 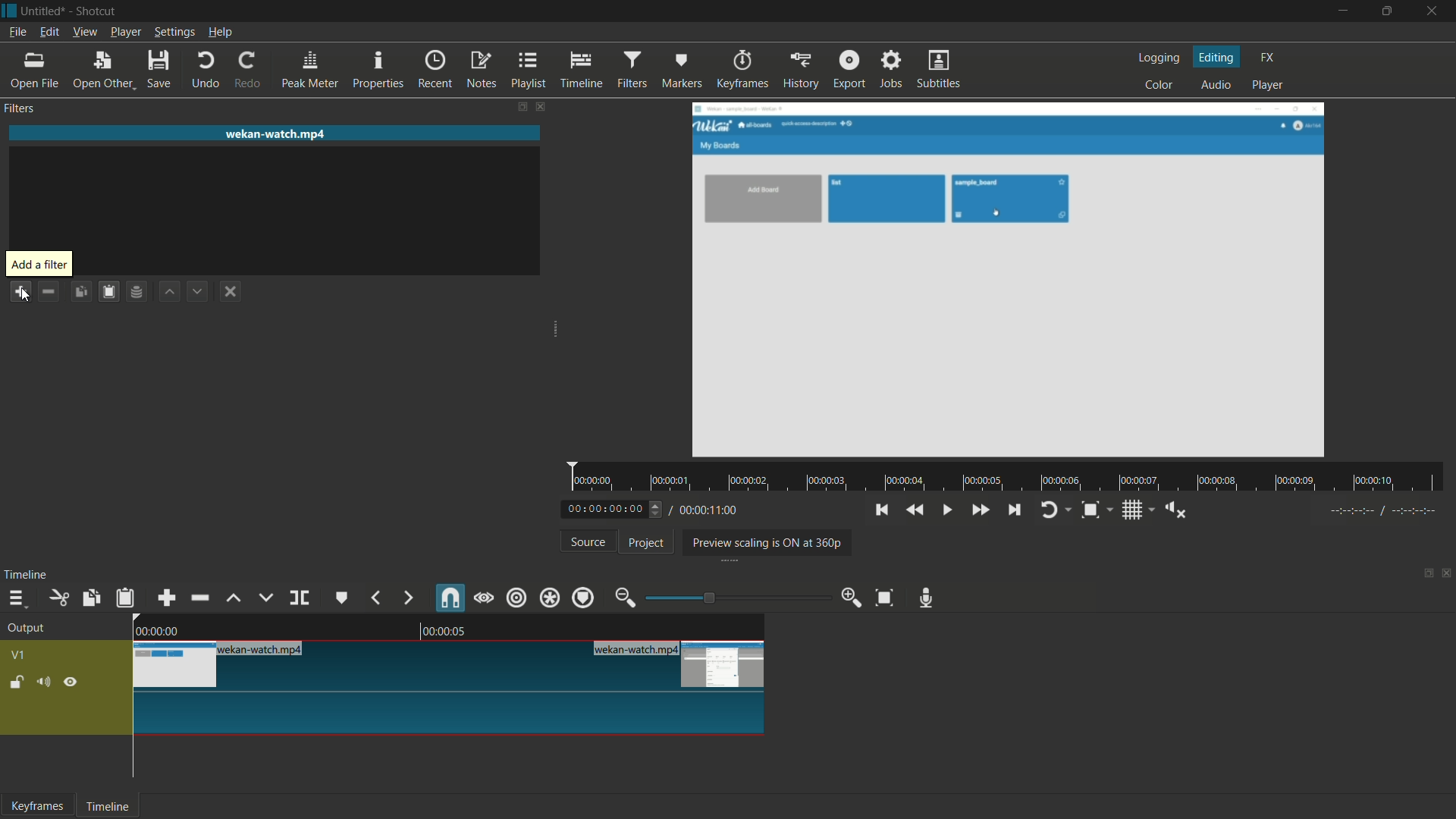 What do you see at coordinates (644, 543) in the screenshot?
I see `project` at bounding box center [644, 543].